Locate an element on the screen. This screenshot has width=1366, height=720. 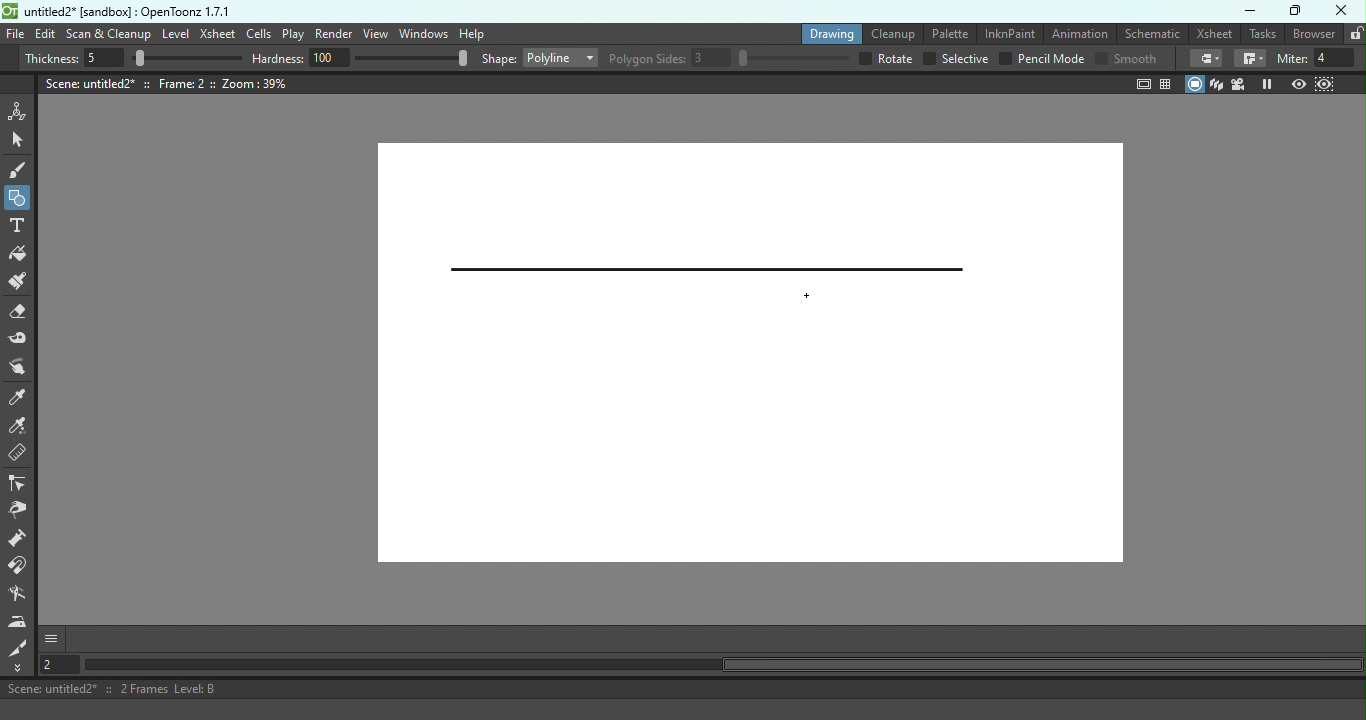
Xsheet is located at coordinates (218, 32).